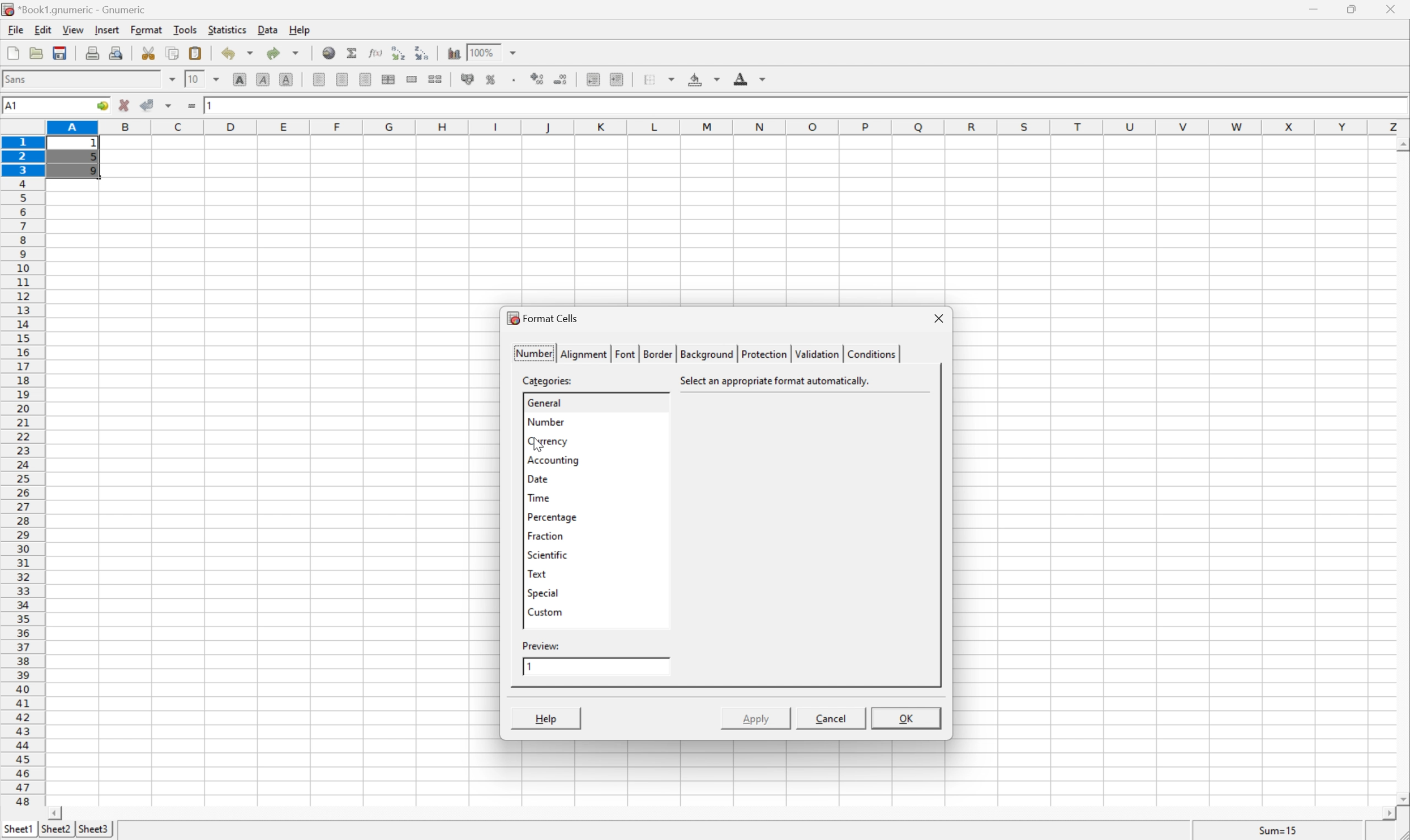  What do you see at coordinates (656, 353) in the screenshot?
I see `border` at bounding box center [656, 353].